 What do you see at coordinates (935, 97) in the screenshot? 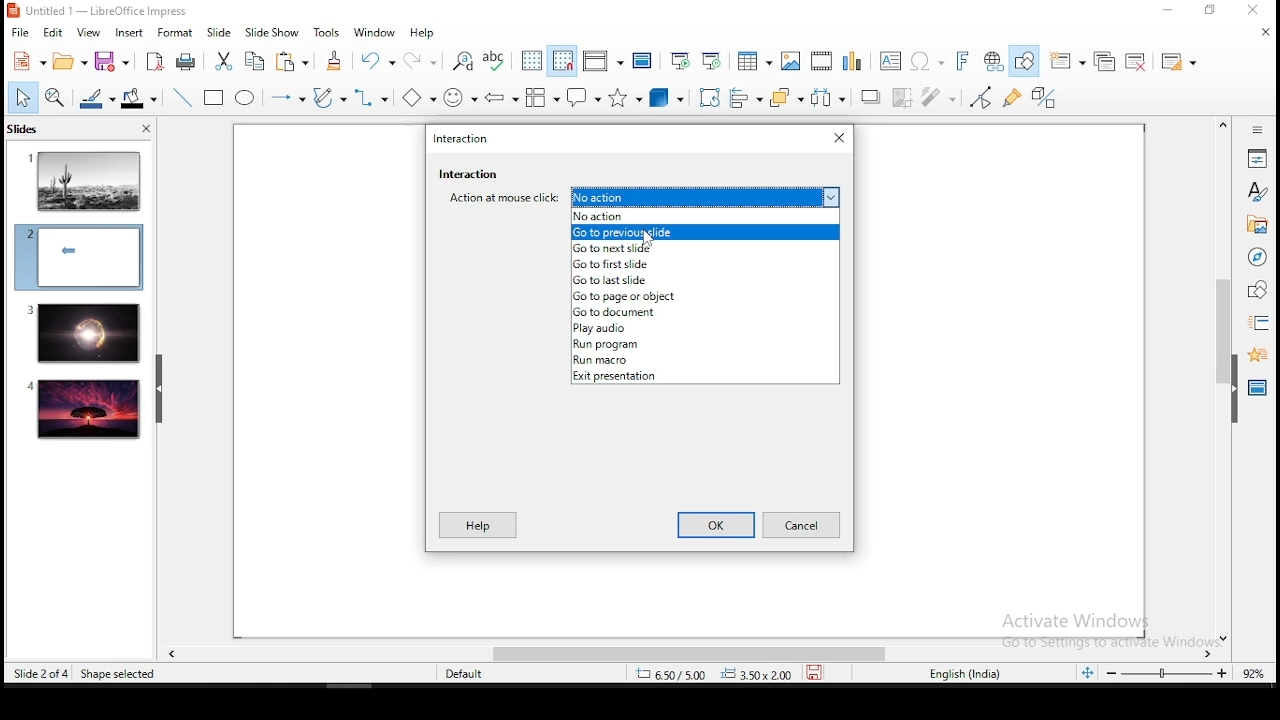
I see `filter` at bounding box center [935, 97].